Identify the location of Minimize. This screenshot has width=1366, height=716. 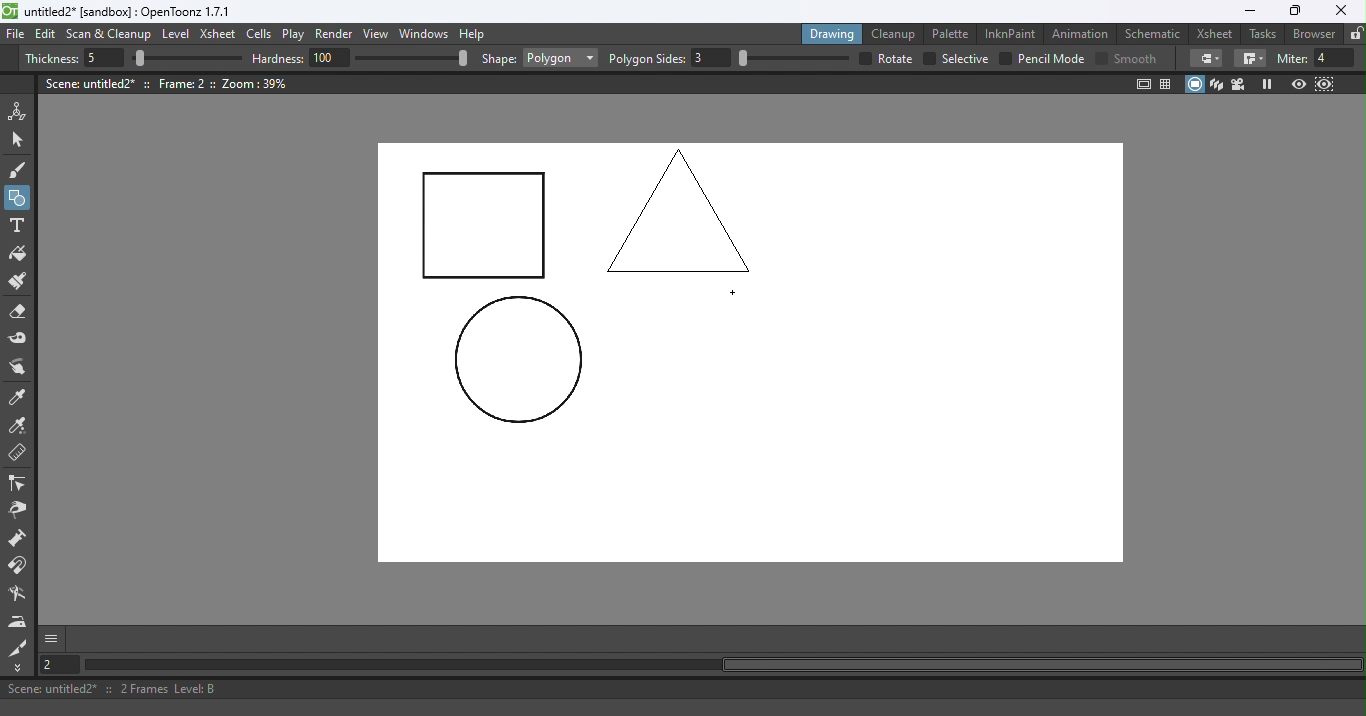
(1249, 11).